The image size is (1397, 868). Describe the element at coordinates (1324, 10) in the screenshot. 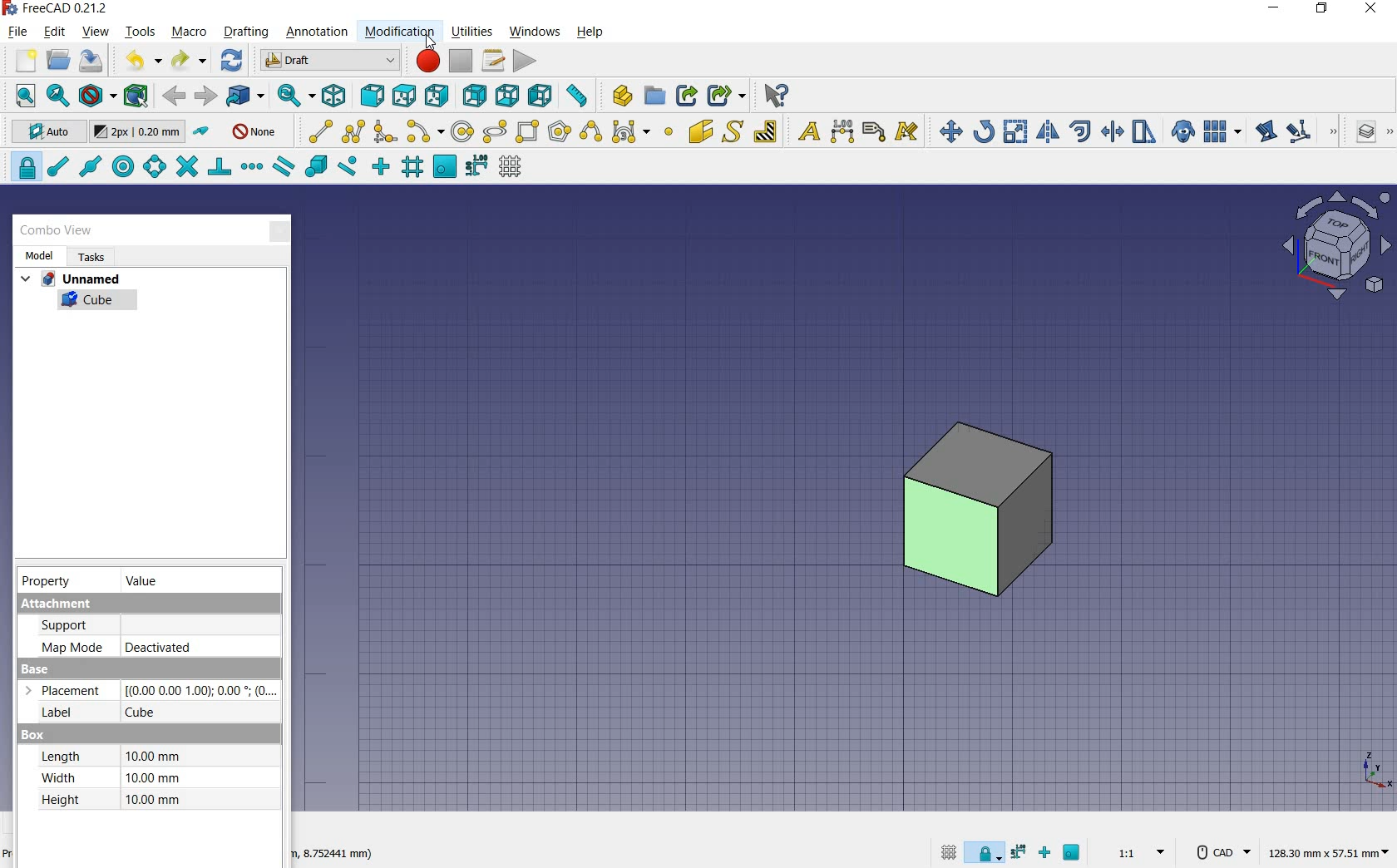

I see `restore down` at that location.